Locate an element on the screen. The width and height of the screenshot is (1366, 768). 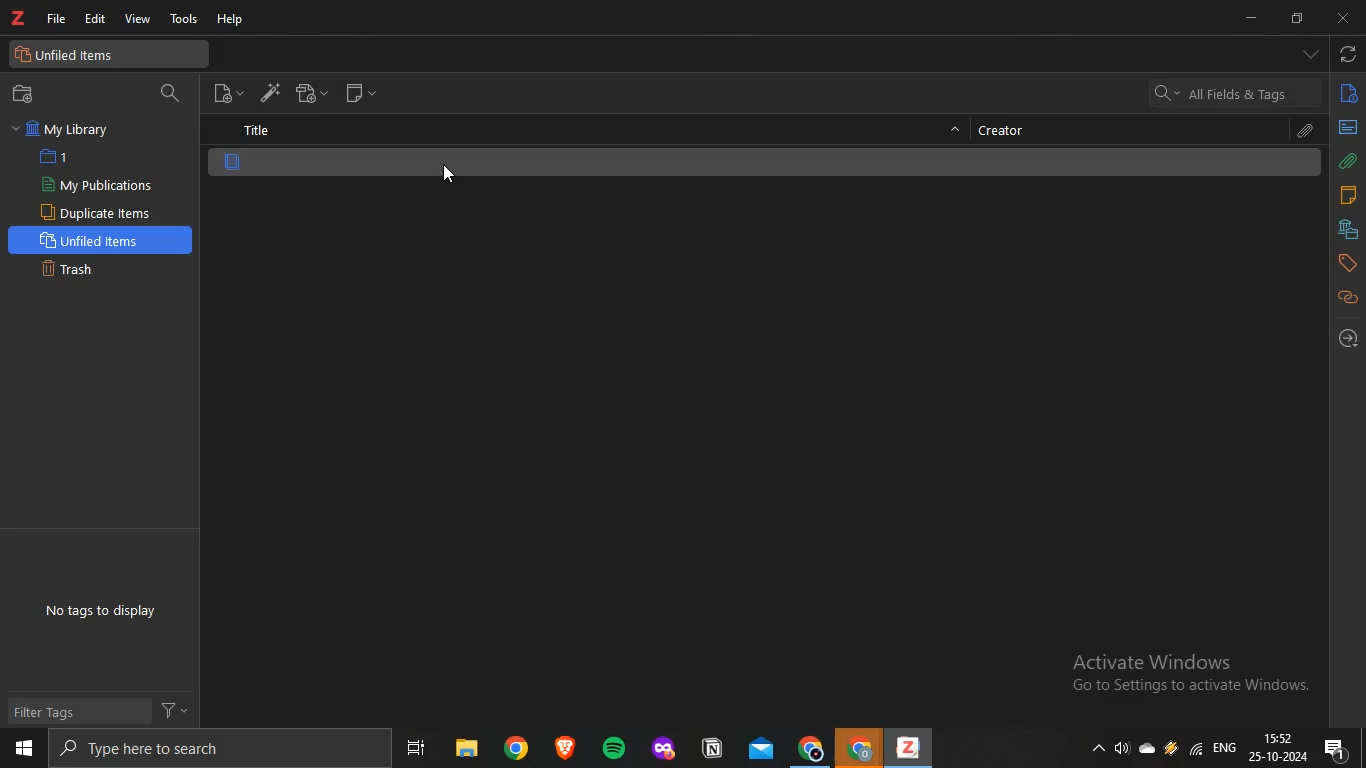
spotify is located at coordinates (609, 746).